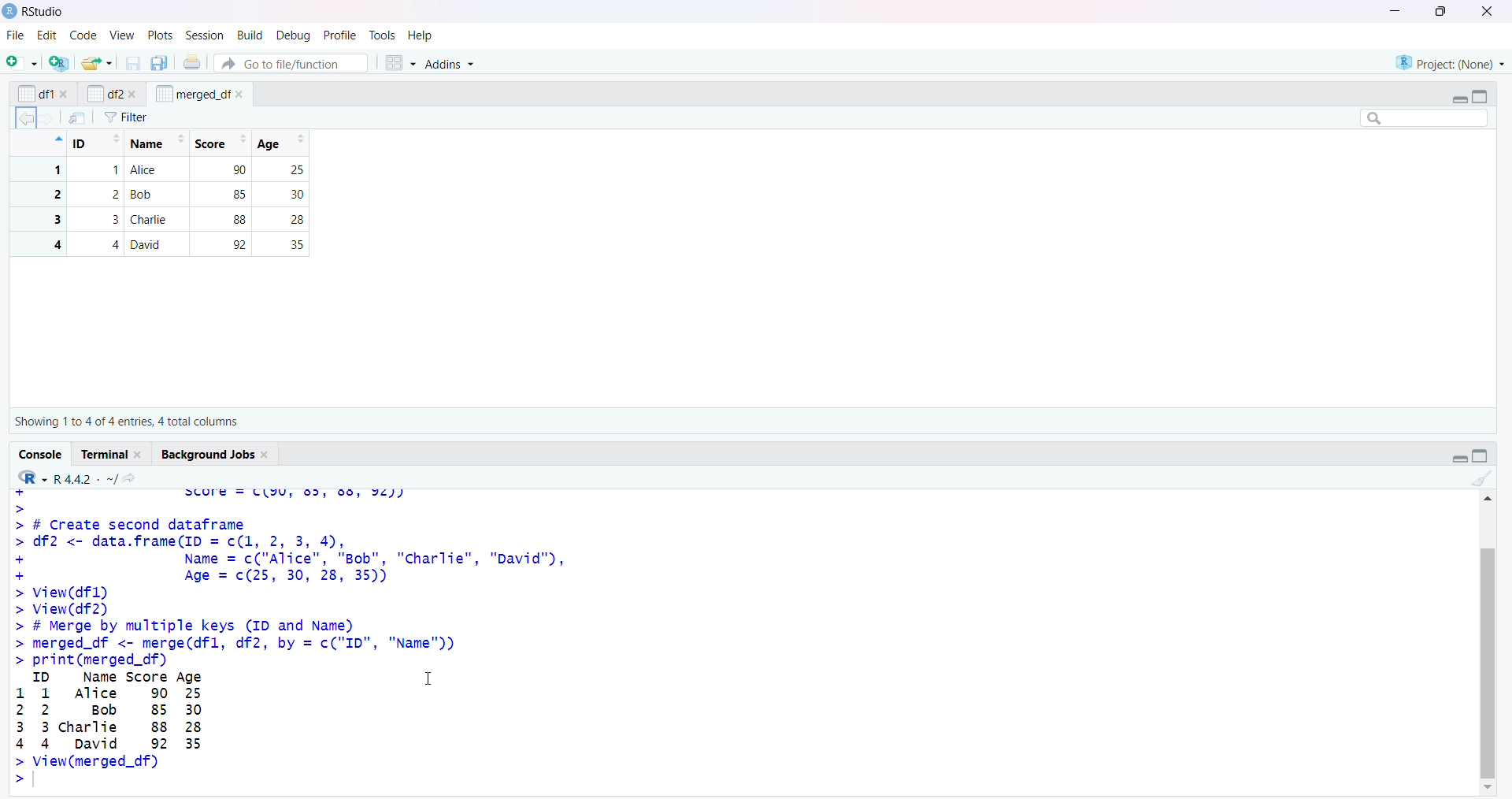  What do you see at coordinates (65, 94) in the screenshot?
I see `close` at bounding box center [65, 94].